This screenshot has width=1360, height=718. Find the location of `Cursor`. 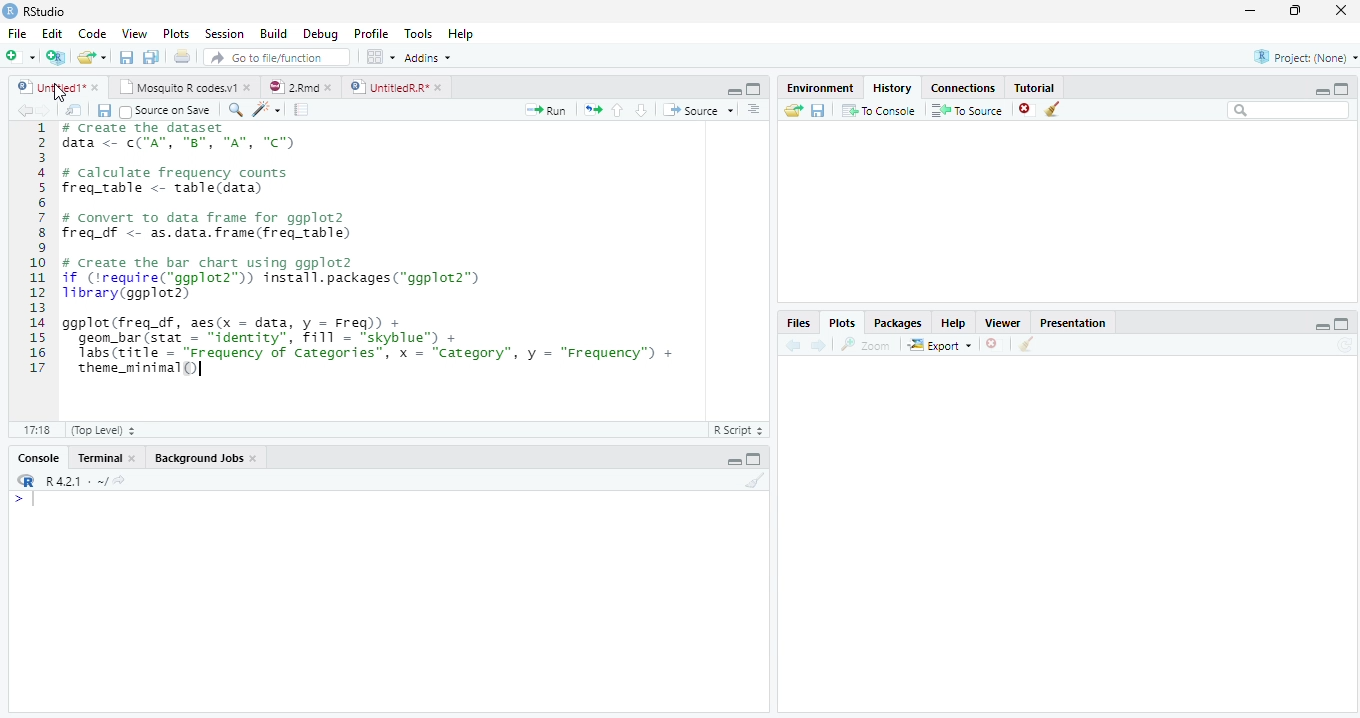

Cursor is located at coordinates (58, 96).